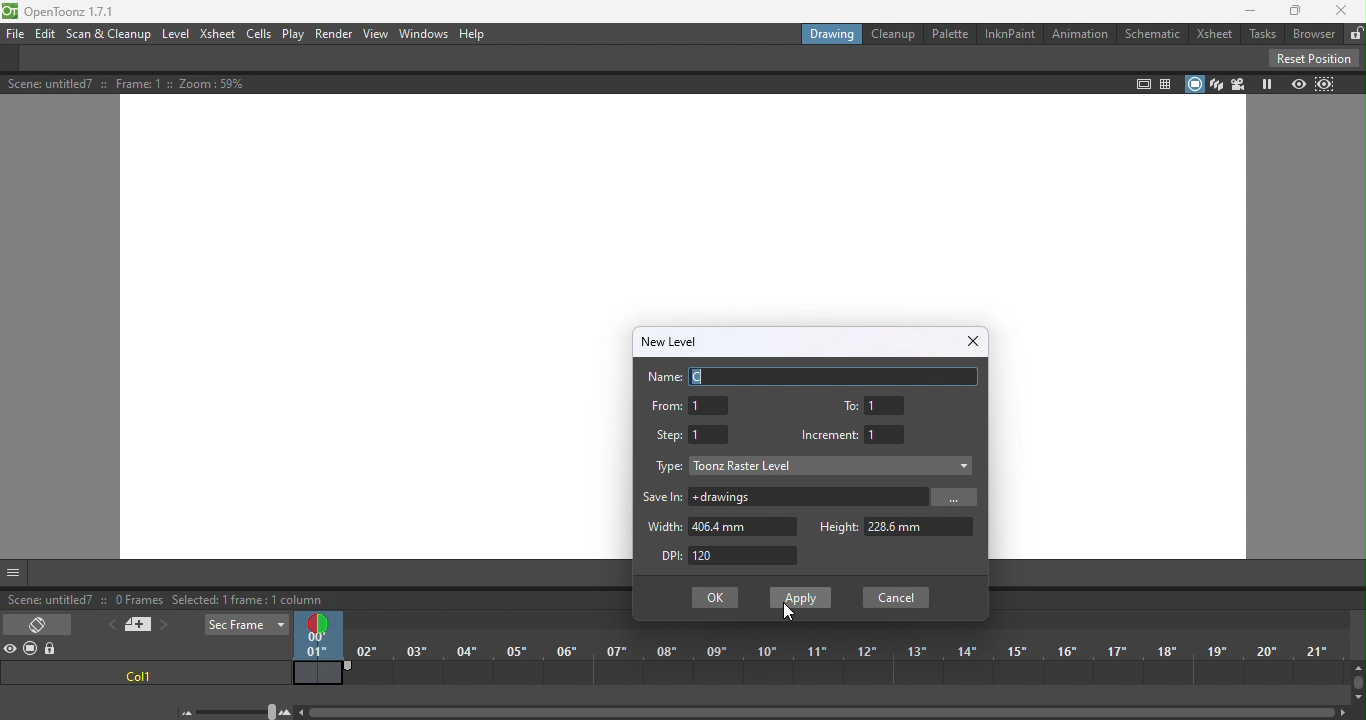  What do you see at coordinates (1193, 84) in the screenshot?
I see `Camera stand view` at bounding box center [1193, 84].